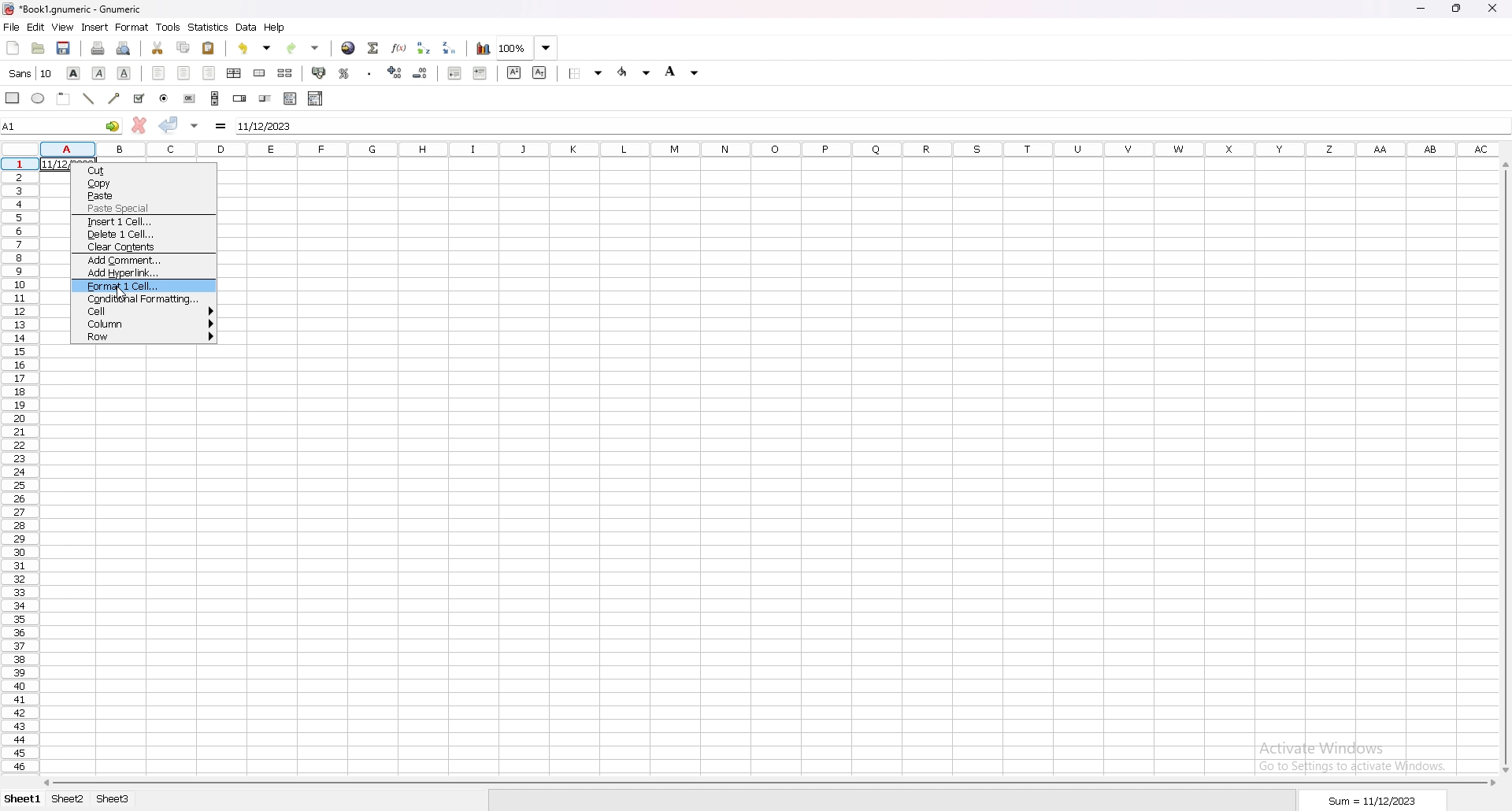 This screenshot has width=1512, height=811. What do you see at coordinates (74, 72) in the screenshot?
I see `bold` at bounding box center [74, 72].